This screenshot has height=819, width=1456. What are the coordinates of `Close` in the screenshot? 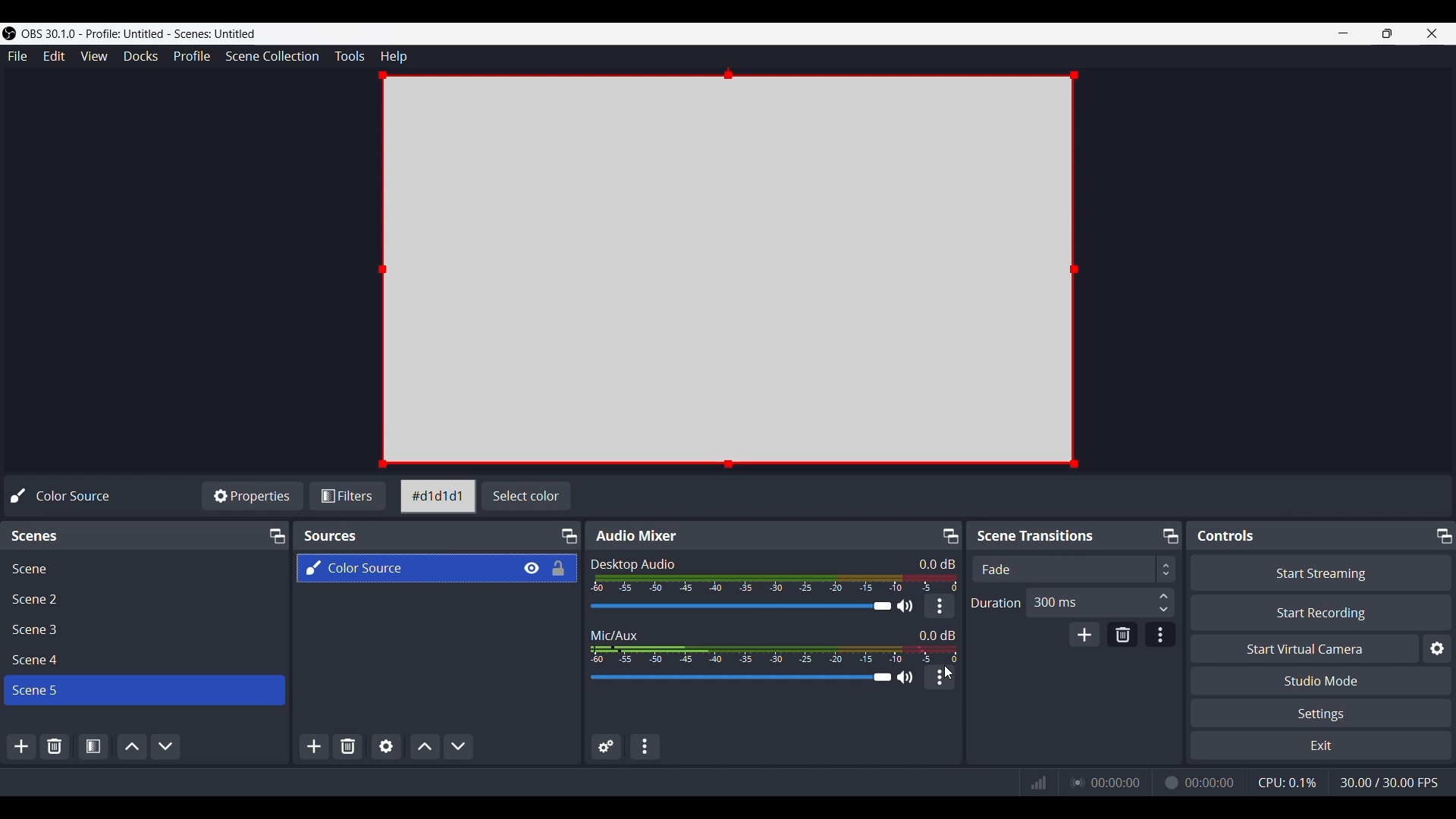 It's located at (1434, 33).